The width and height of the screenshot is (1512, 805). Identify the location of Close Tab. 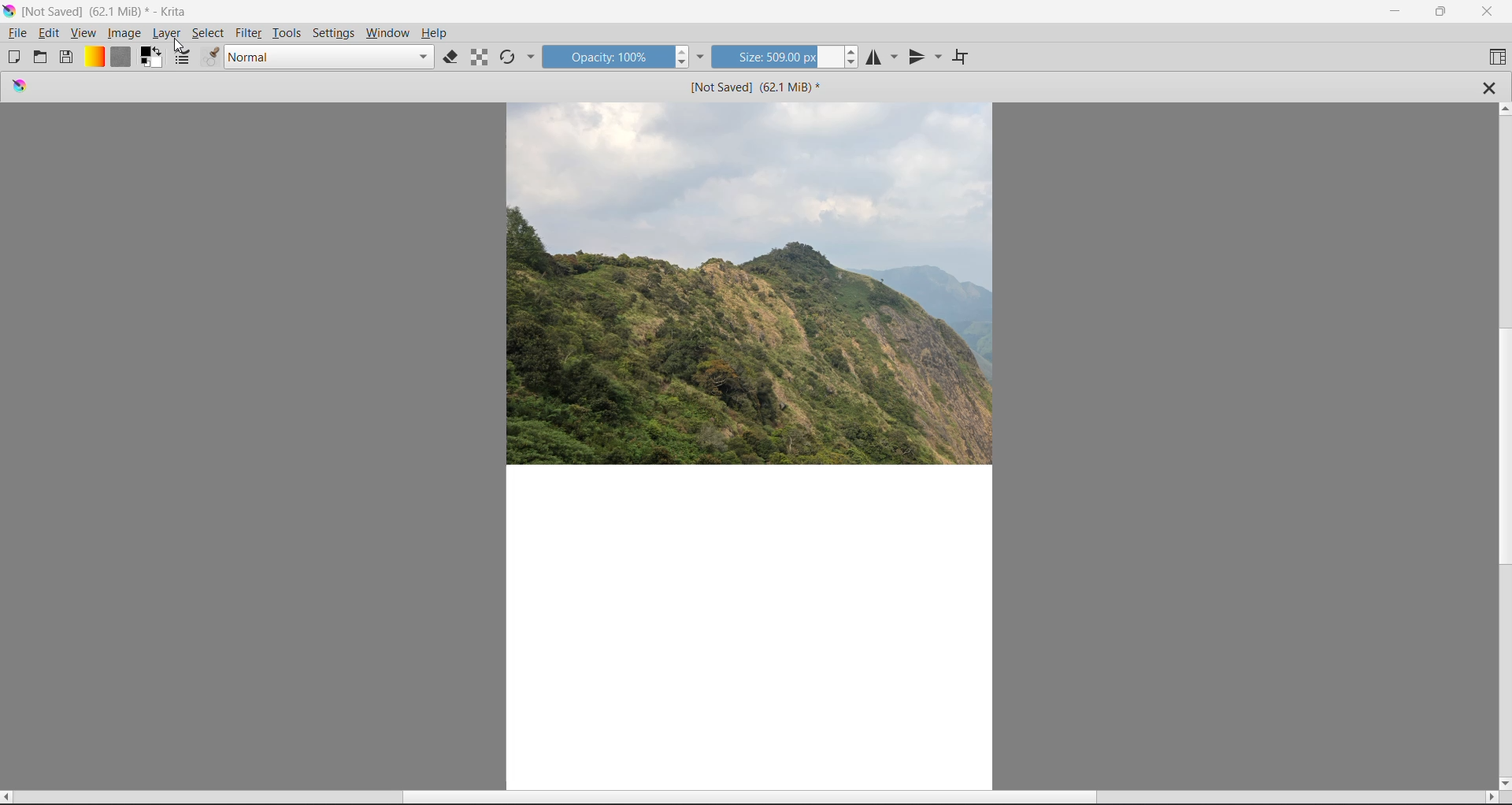
(1490, 87).